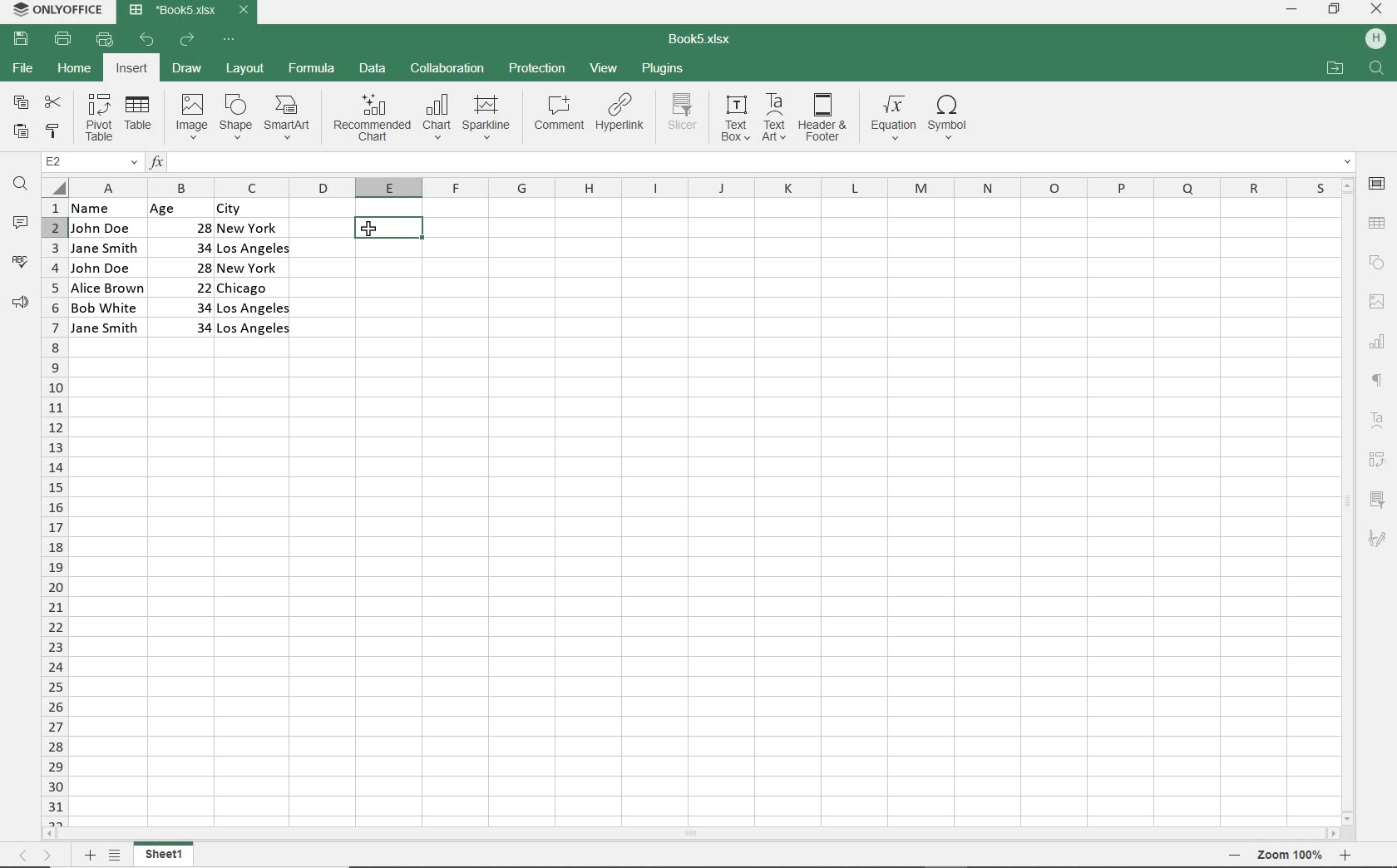 The width and height of the screenshot is (1397, 868). What do you see at coordinates (237, 116) in the screenshot?
I see `SHAPE` at bounding box center [237, 116].